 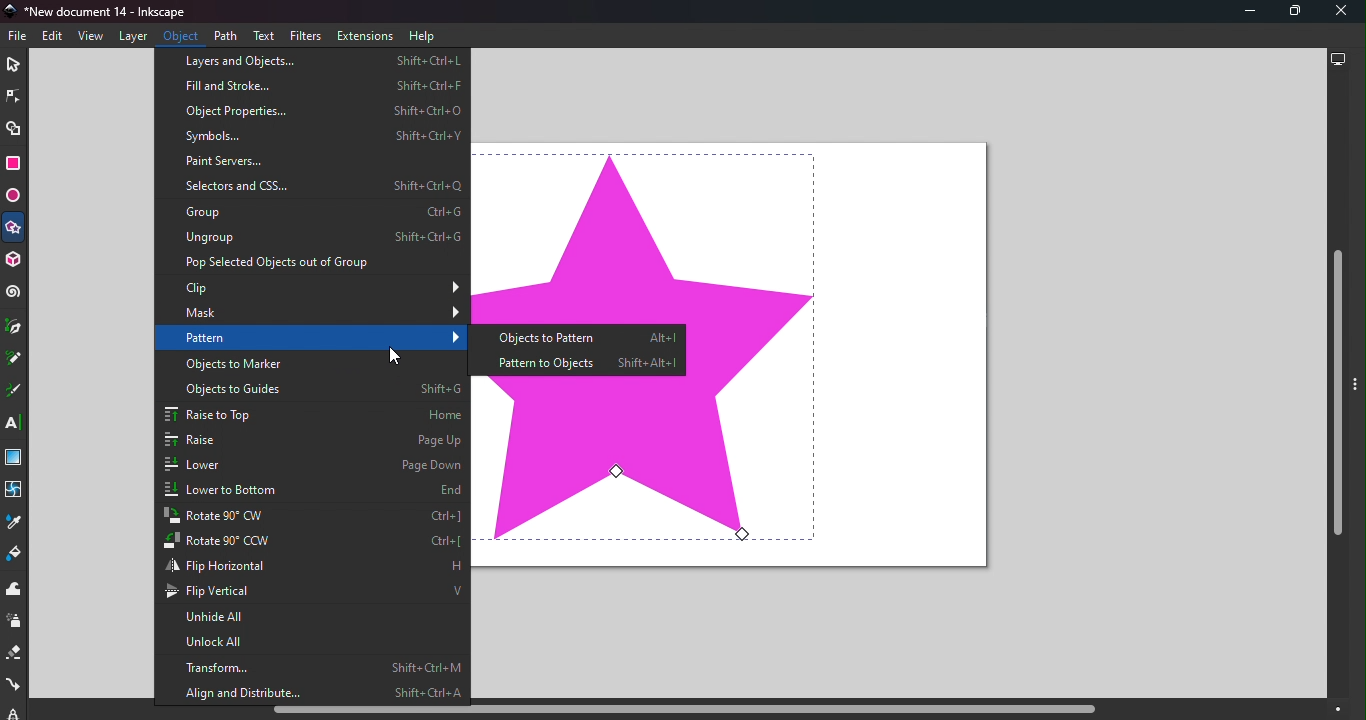 I want to click on shape, so click(x=756, y=435).